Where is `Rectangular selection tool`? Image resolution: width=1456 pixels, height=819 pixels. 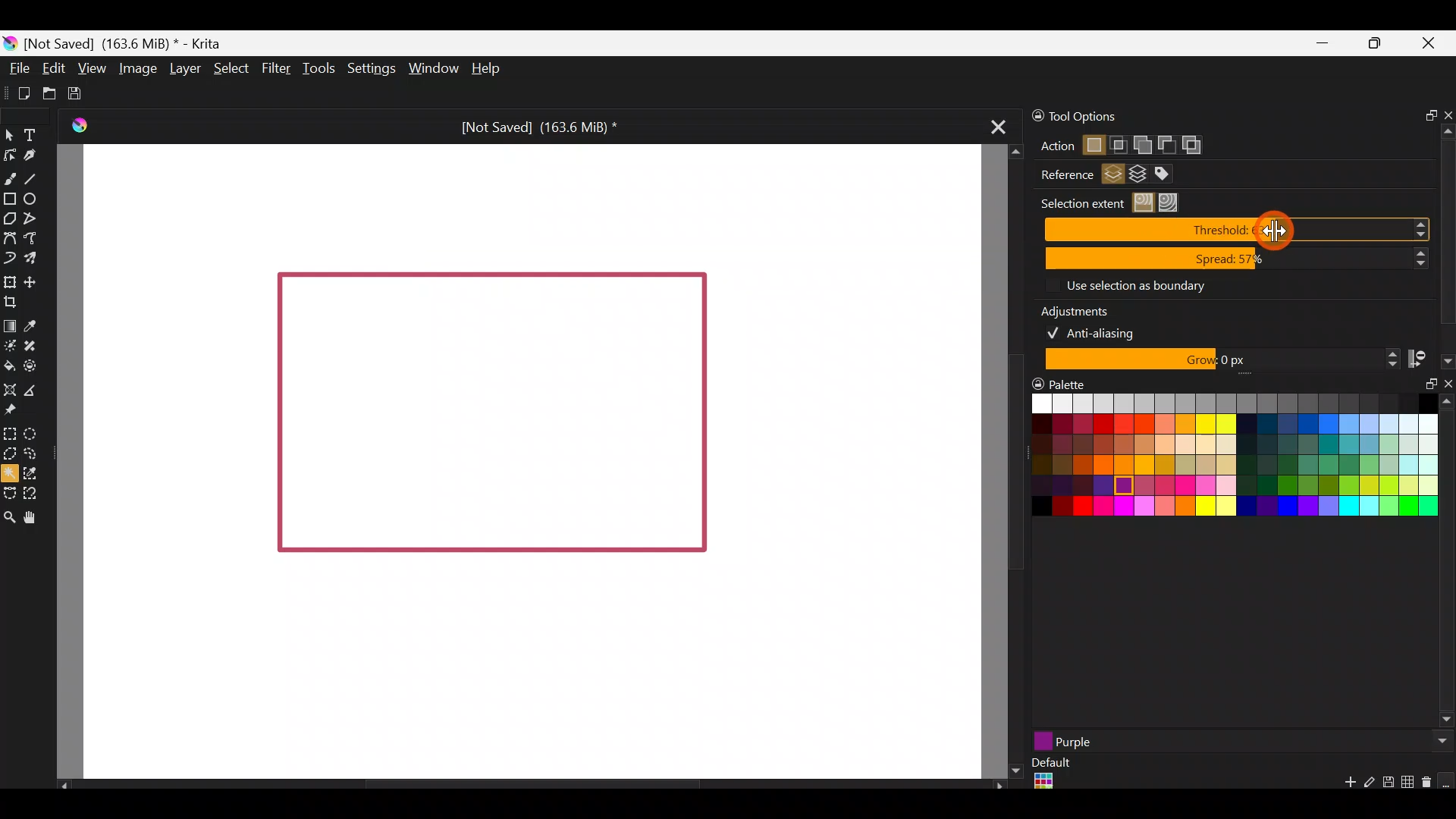 Rectangular selection tool is located at coordinates (13, 434).